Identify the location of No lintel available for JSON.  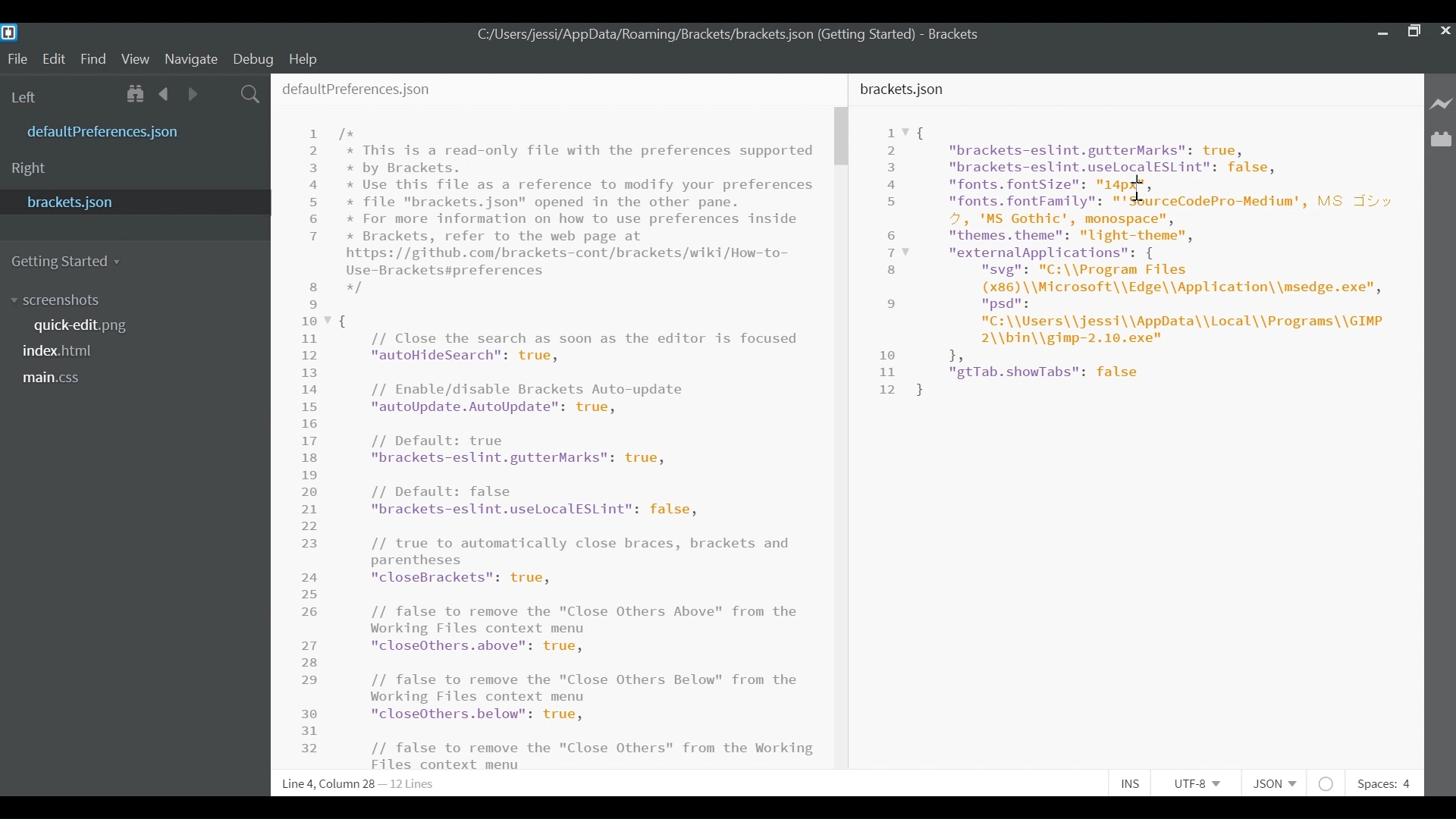
(1327, 782).